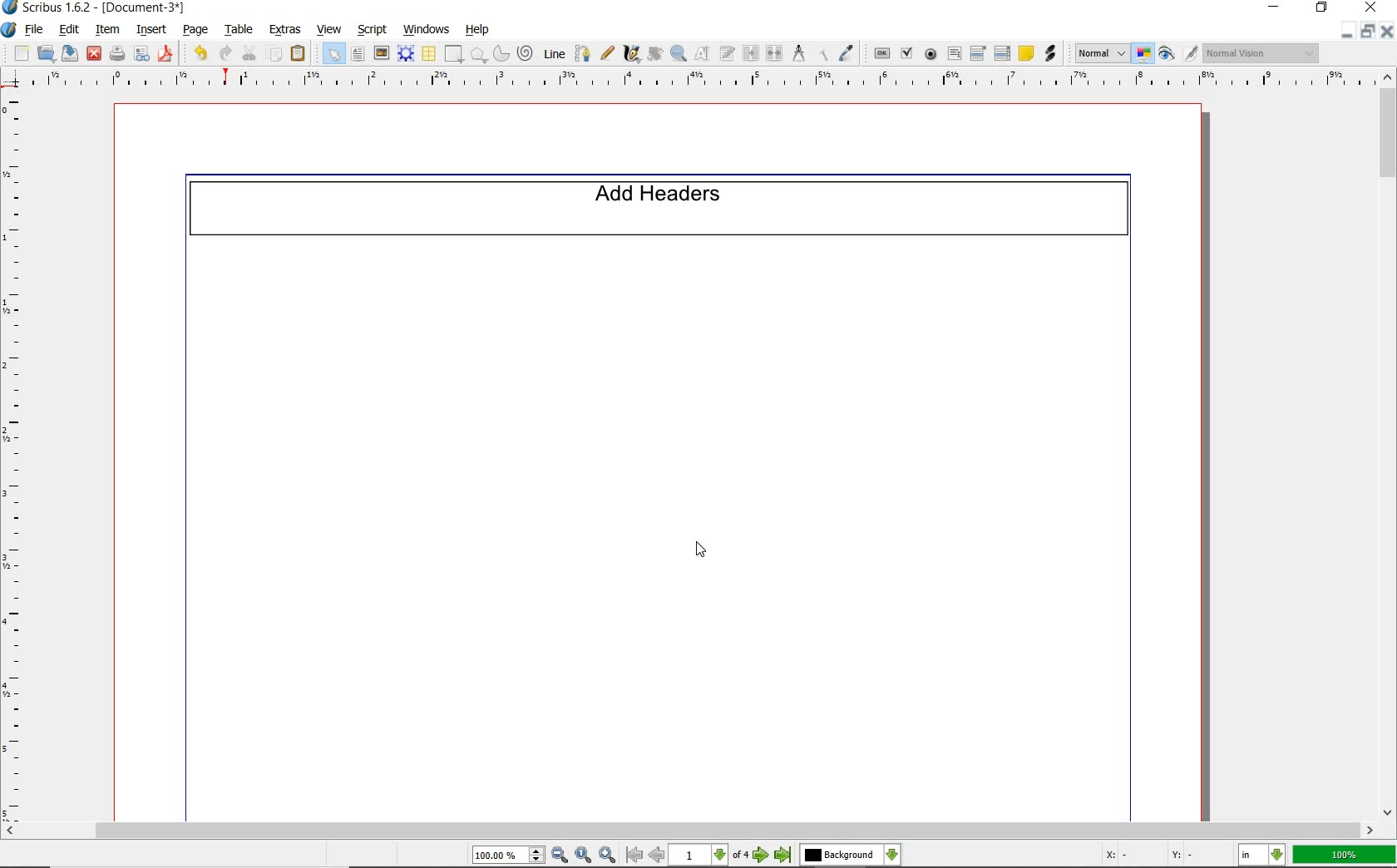 The width and height of the screenshot is (1397, 868). I want to click on 100%, so click(1345, 856).